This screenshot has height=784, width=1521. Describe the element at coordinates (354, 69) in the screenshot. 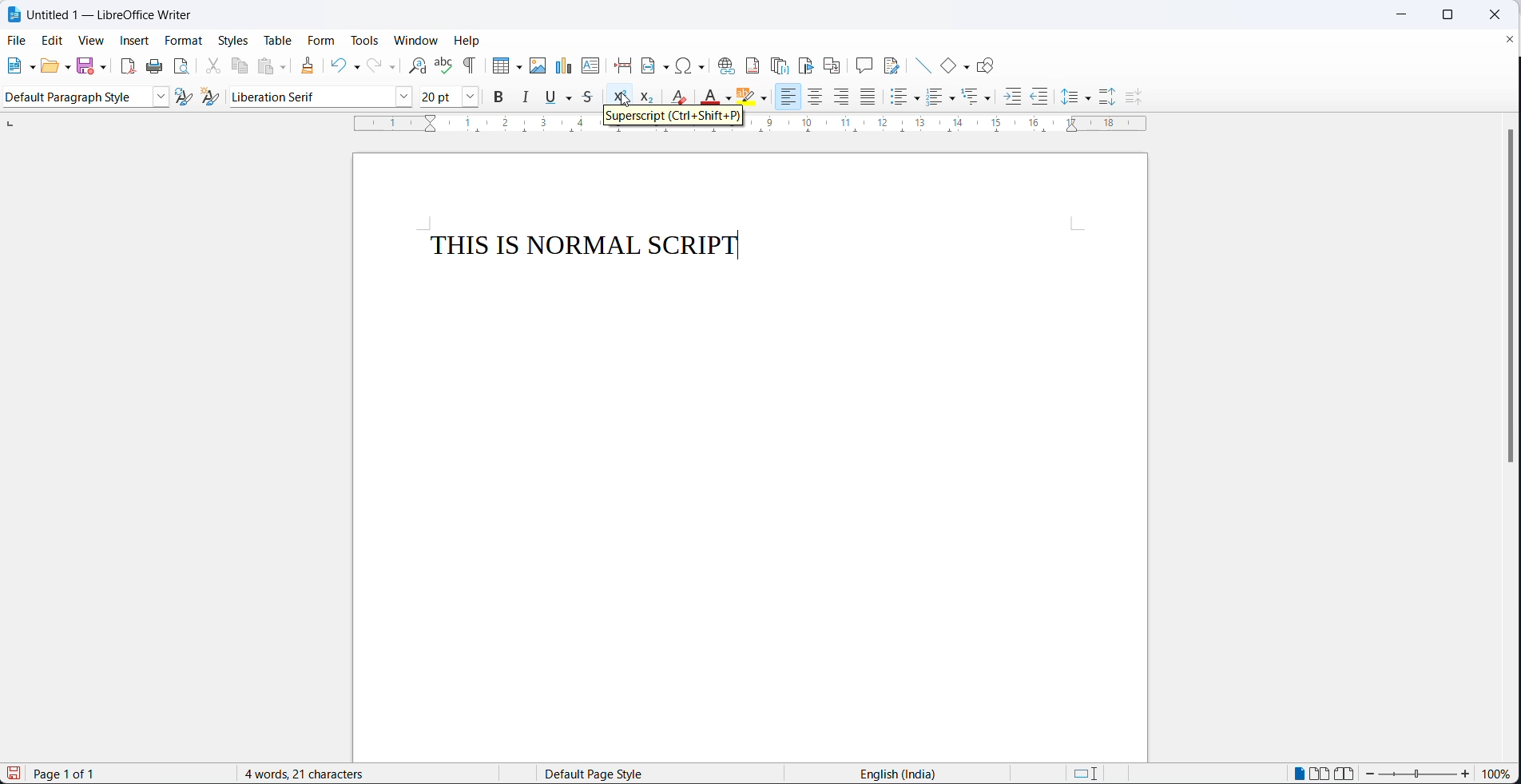

I see `undo options` at that location.